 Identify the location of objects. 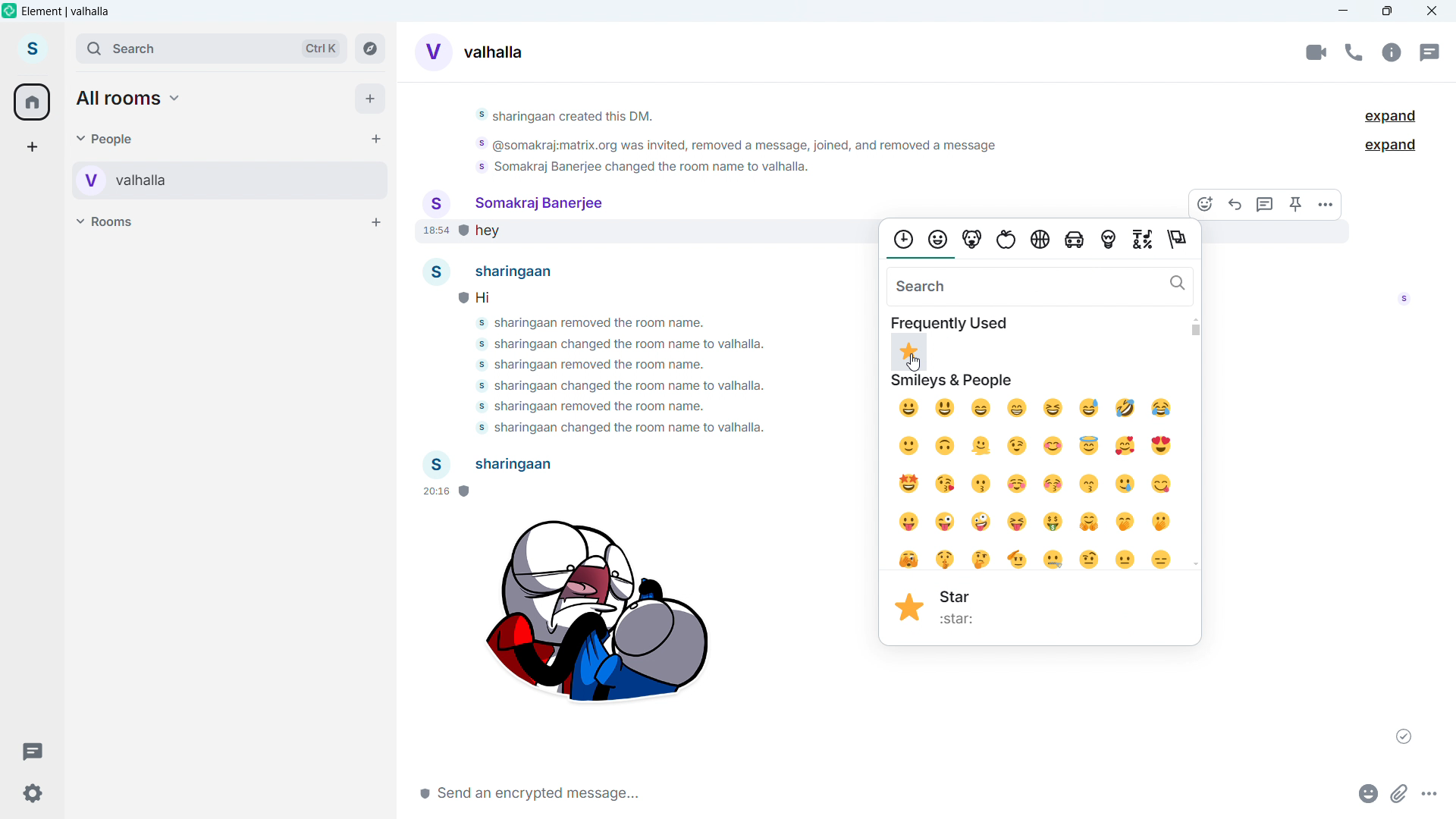
(1110, 242).